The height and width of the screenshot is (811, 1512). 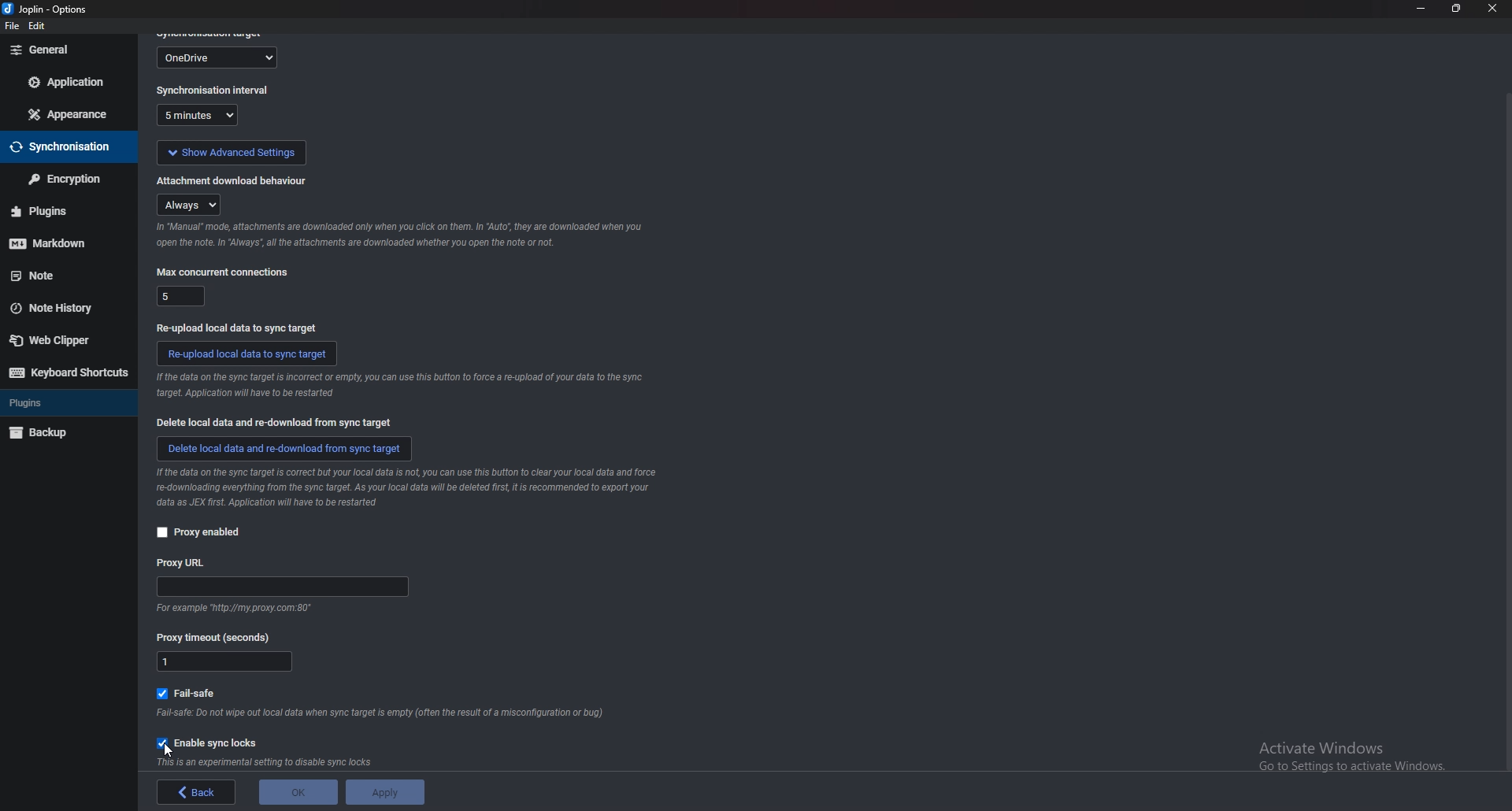 I want to click on fail safe, so click(x=193, y=691).